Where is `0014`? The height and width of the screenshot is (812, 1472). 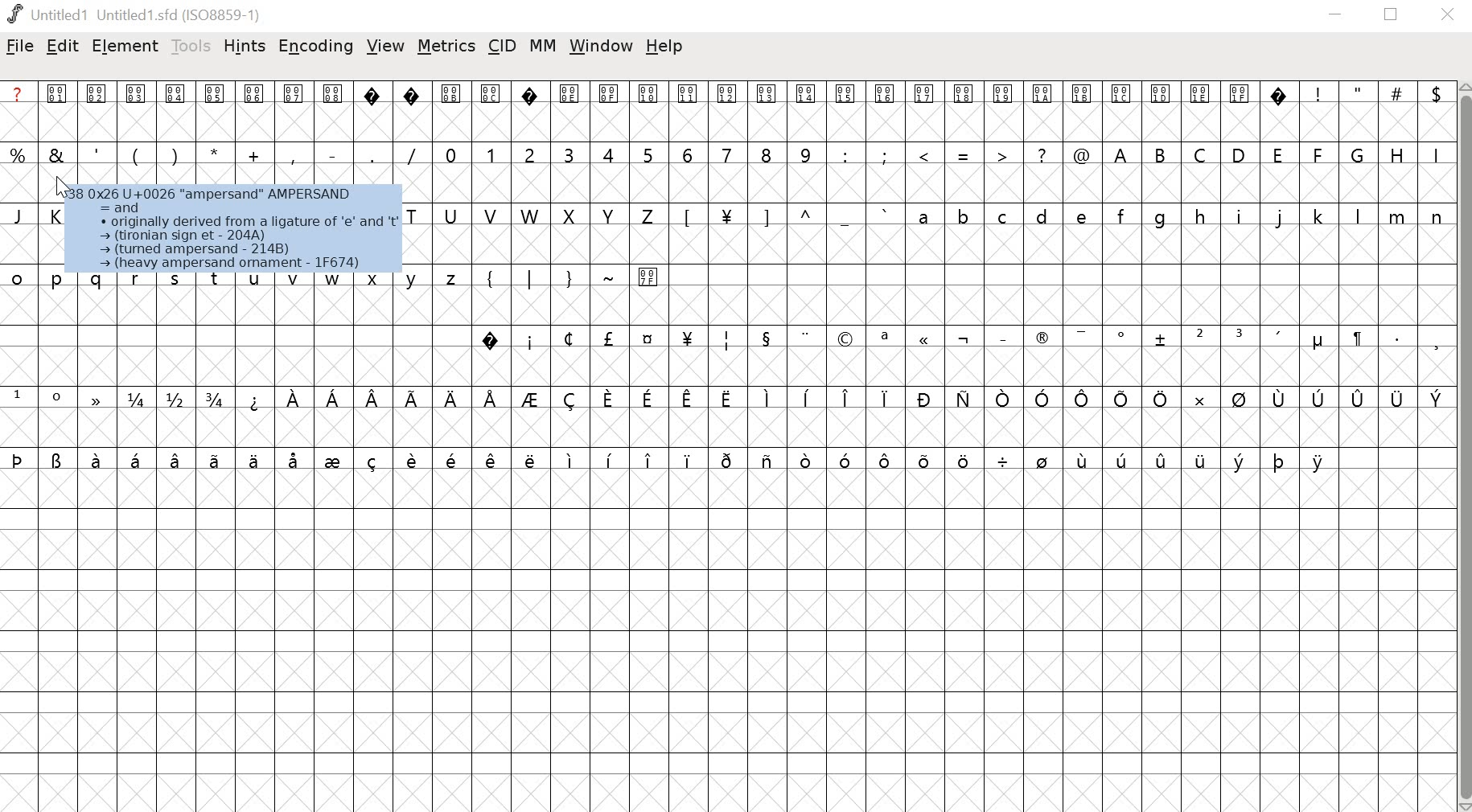 0014 is located at coordinates (807, 112).